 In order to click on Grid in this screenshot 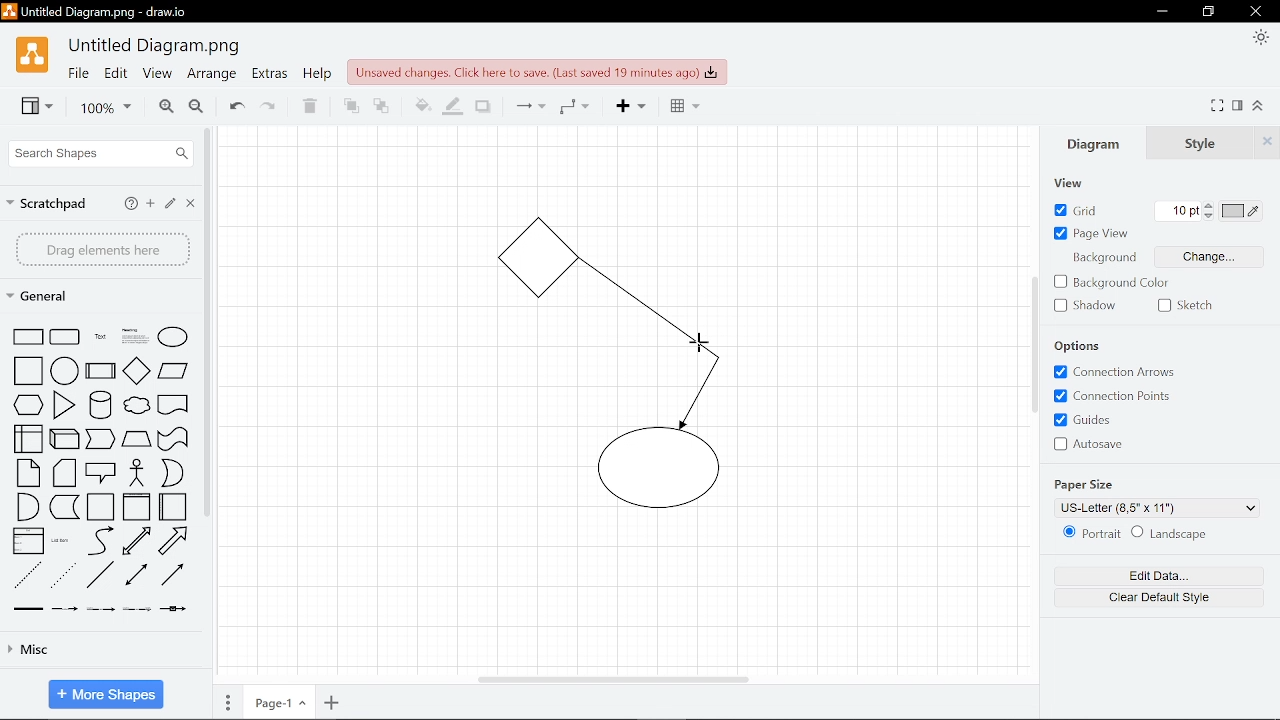, I will do `click(1086, 210)`.